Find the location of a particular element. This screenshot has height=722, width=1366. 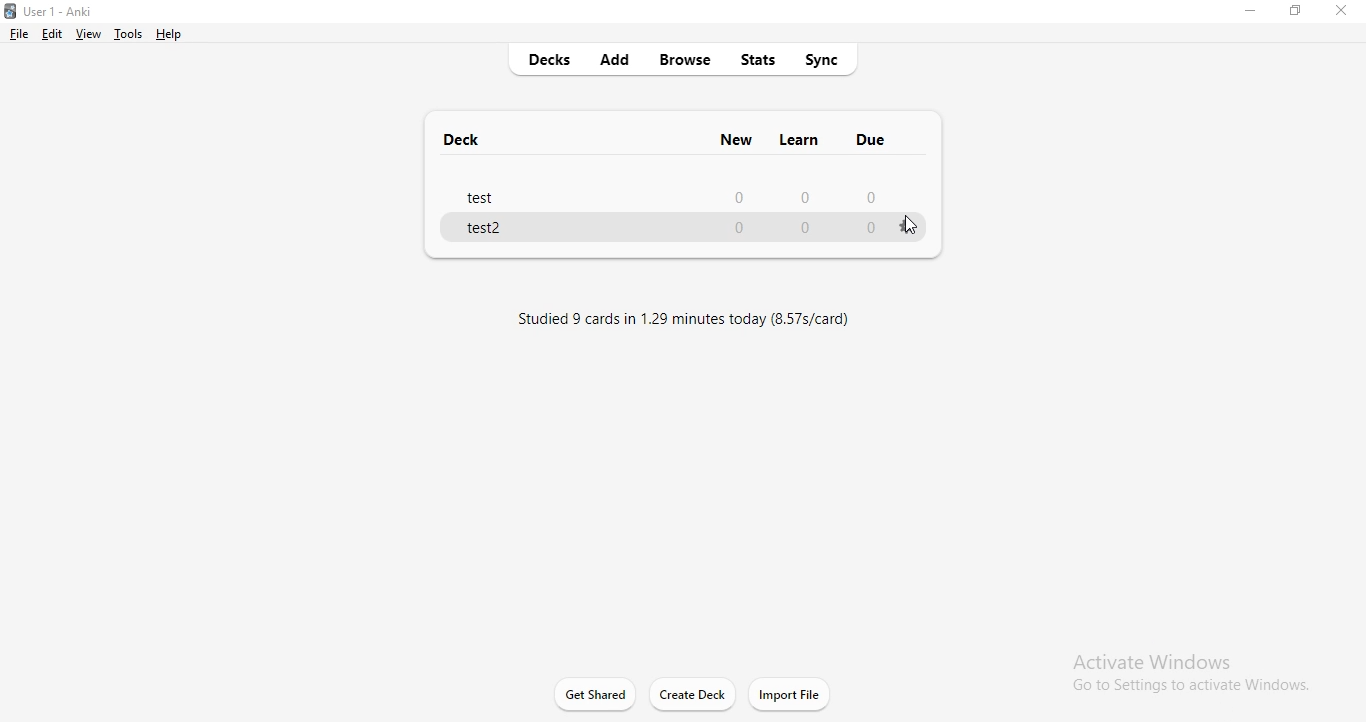

Cursor is located at coordinates (912, 228).